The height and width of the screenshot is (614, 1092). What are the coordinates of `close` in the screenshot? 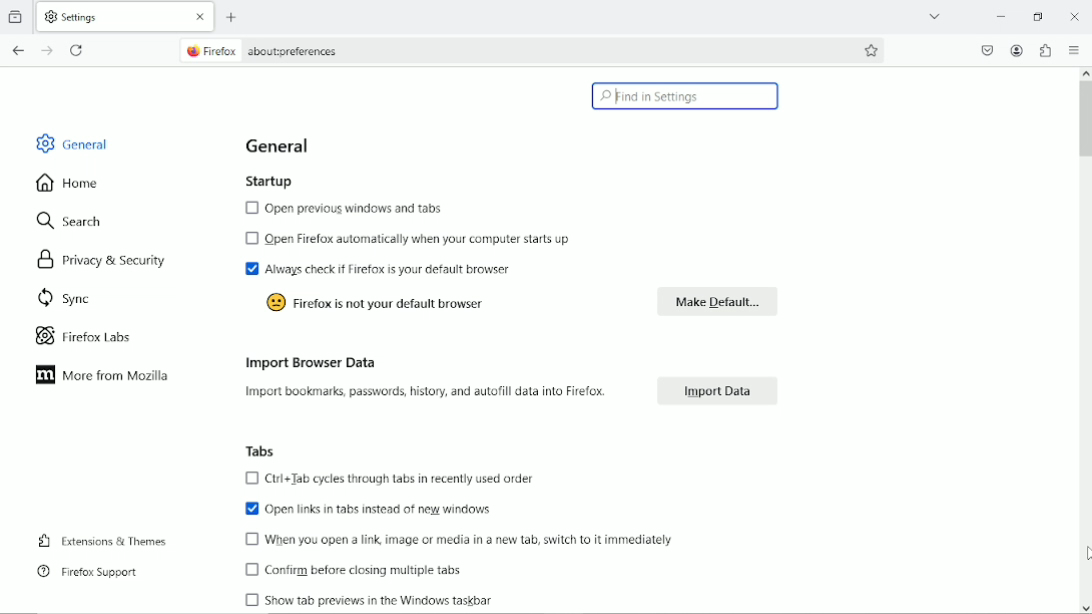 It's located at (198, 16).